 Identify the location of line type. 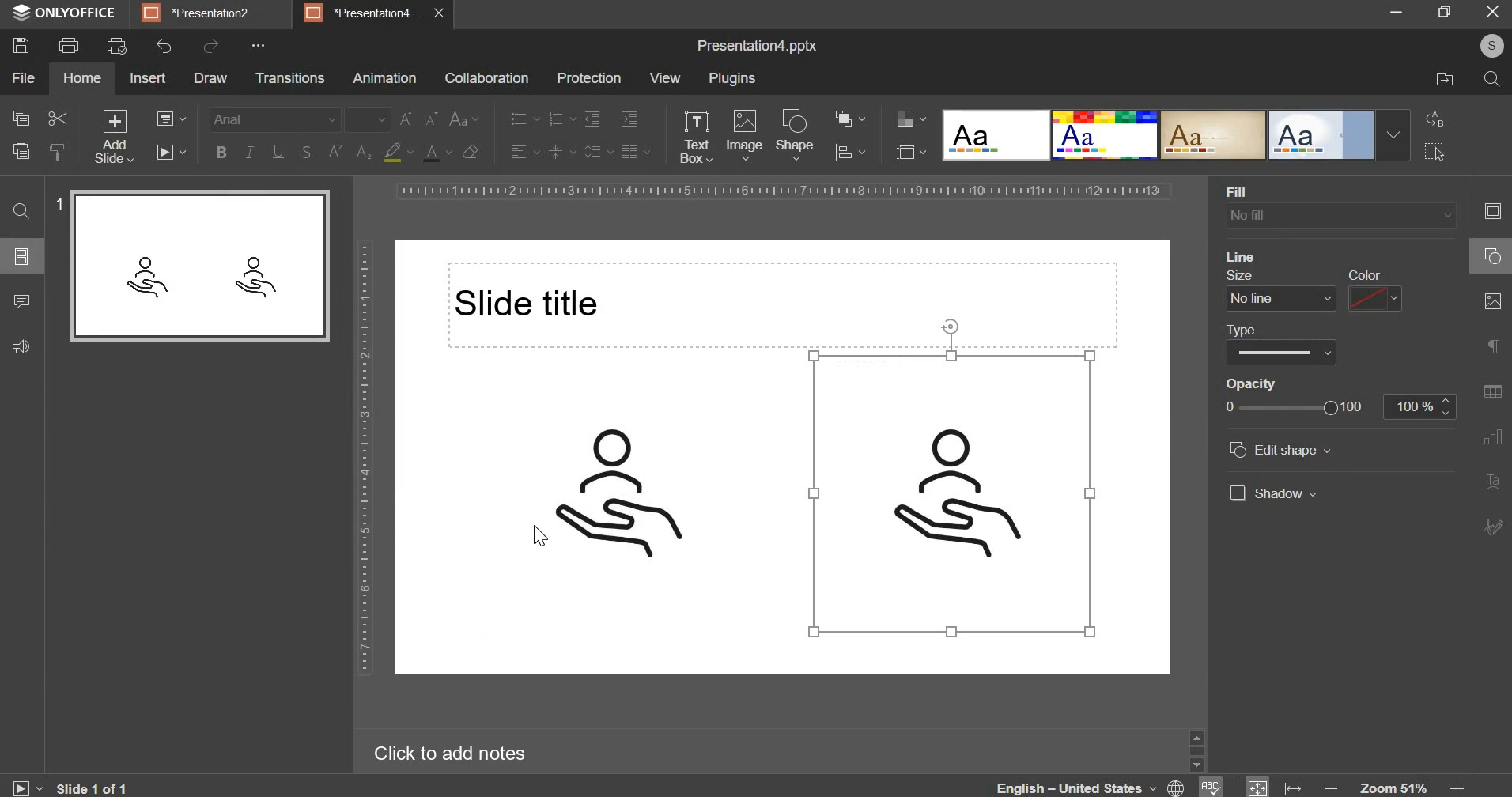
(1281, 351).